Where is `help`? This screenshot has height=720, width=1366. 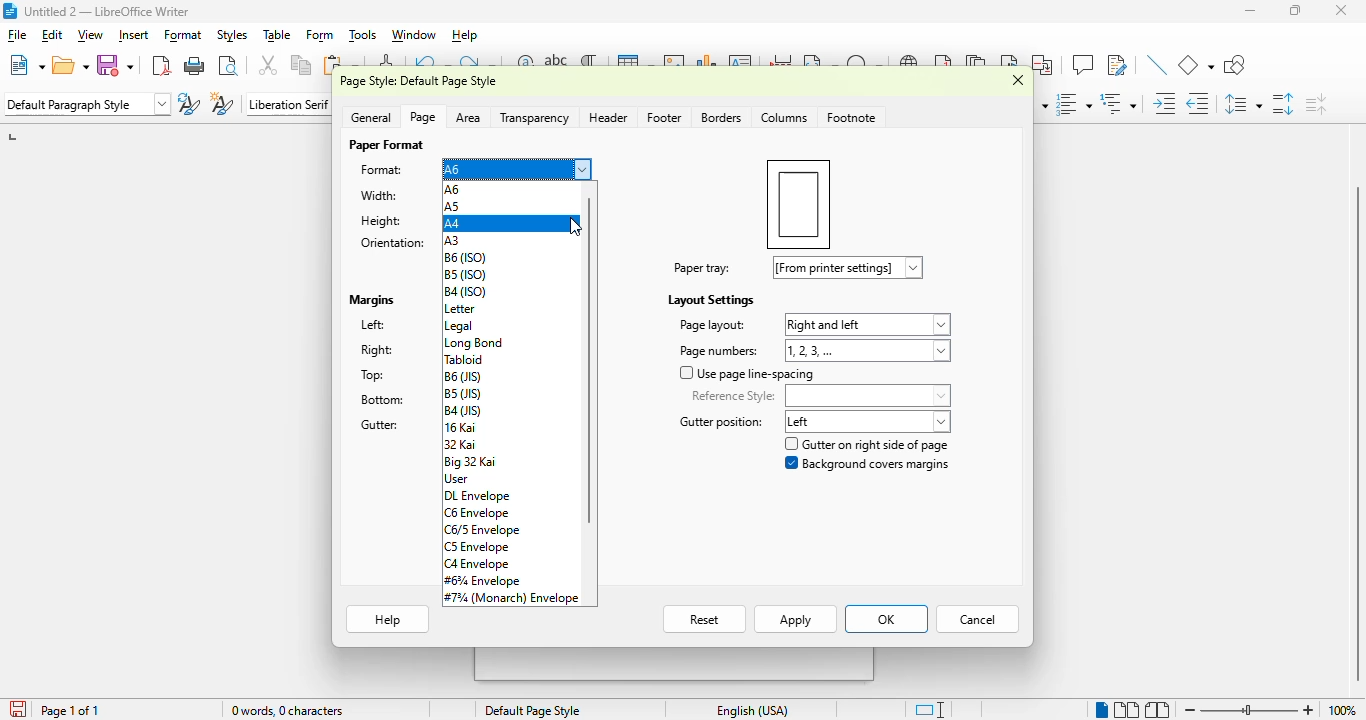
help is located at coordinates (387, 619).